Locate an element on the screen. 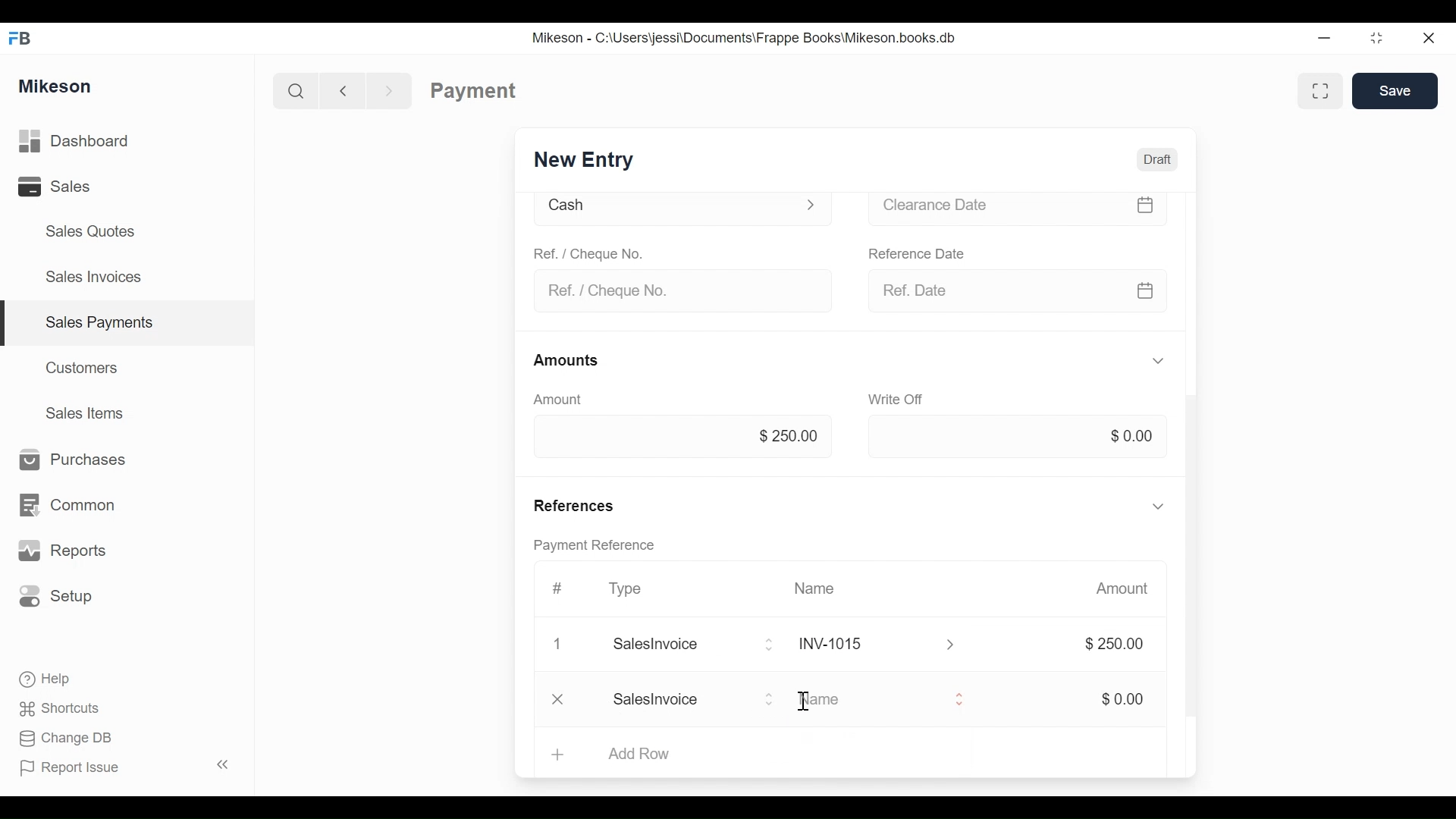 This screenshot has width=1456, height=819. cursor is located at coordinates (802, 701).